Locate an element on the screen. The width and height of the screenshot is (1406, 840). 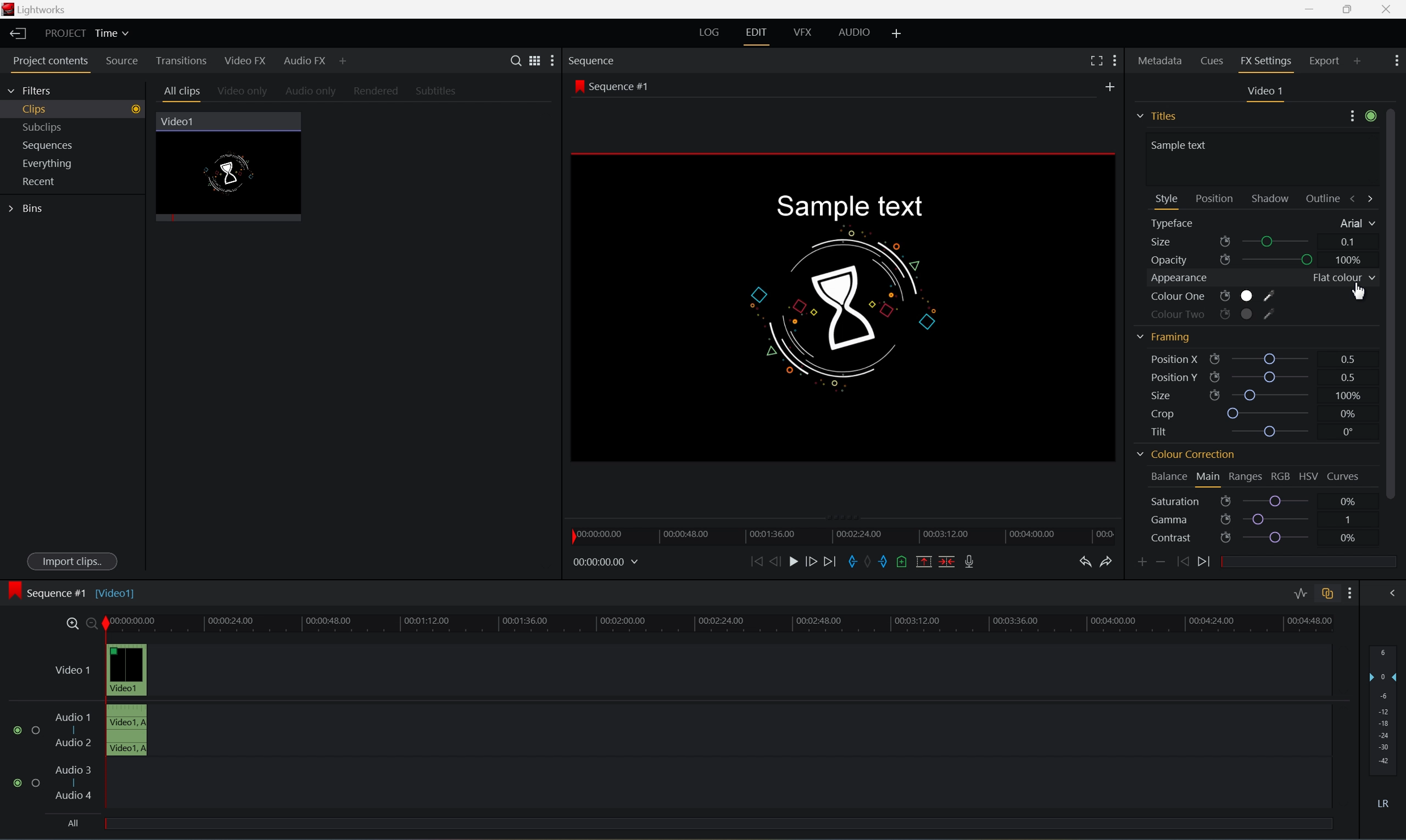
position y is located at coordinates (1180, 377).